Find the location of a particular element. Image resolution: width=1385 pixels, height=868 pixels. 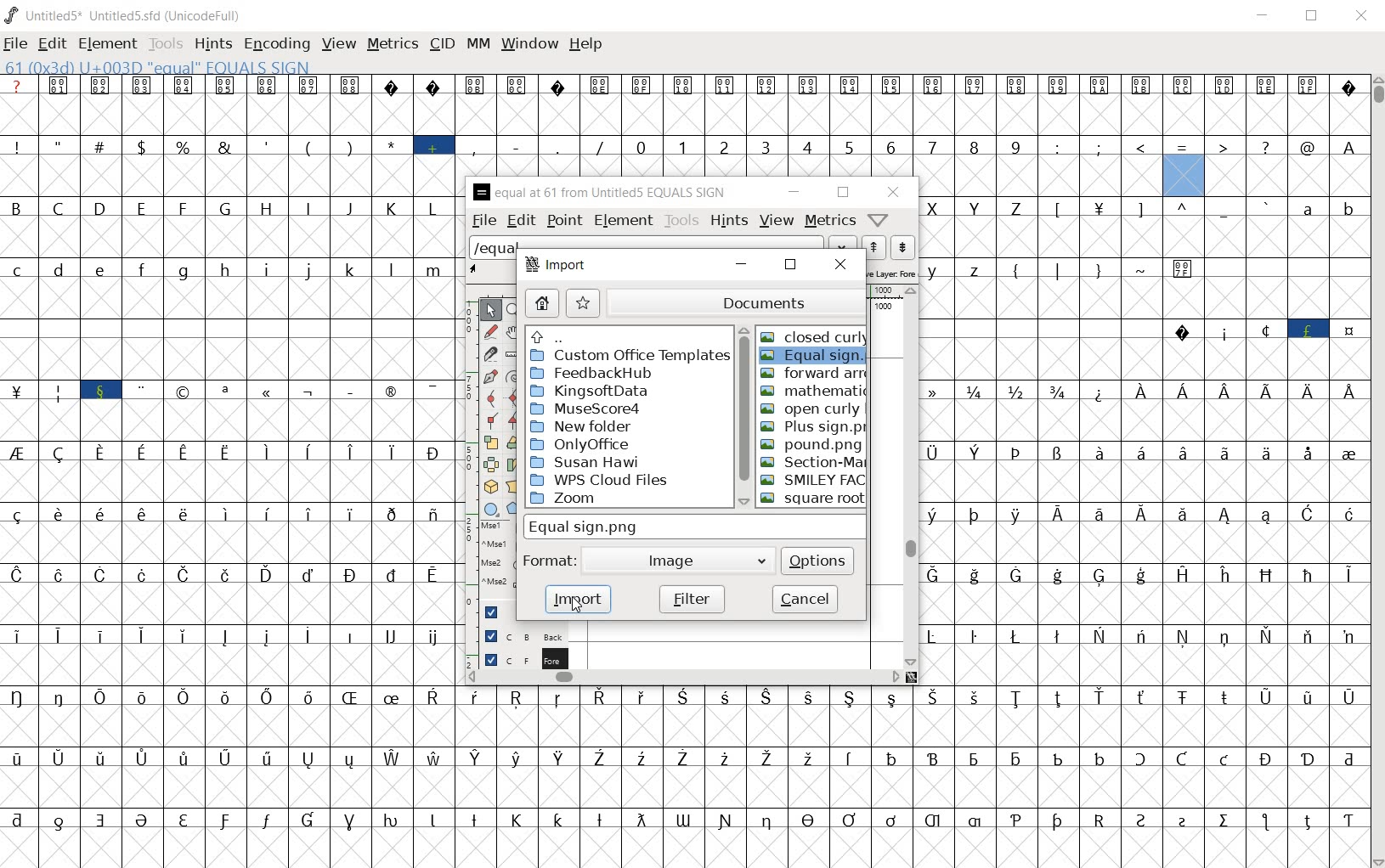

view is located at coordinates (337, 45).